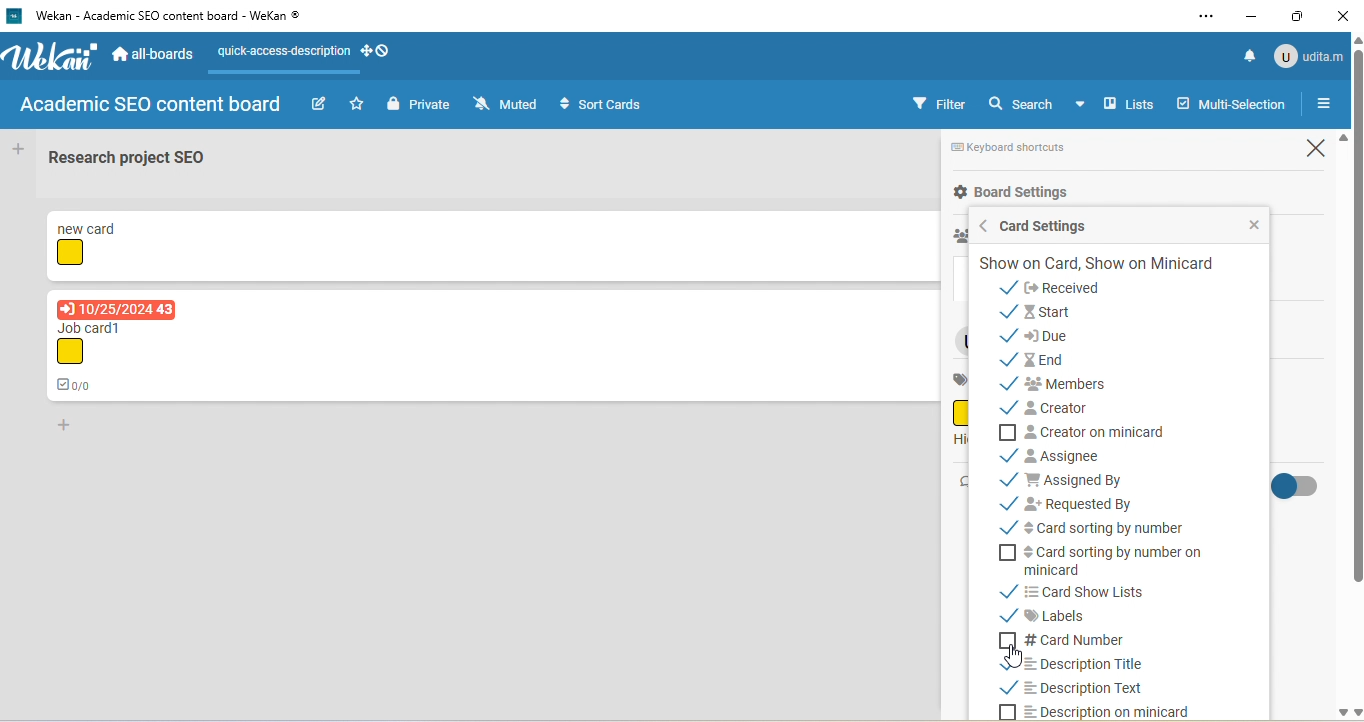 The height and width of the screenshot is (722, 1364). I want to click on scroll up, so click(1355, 40).